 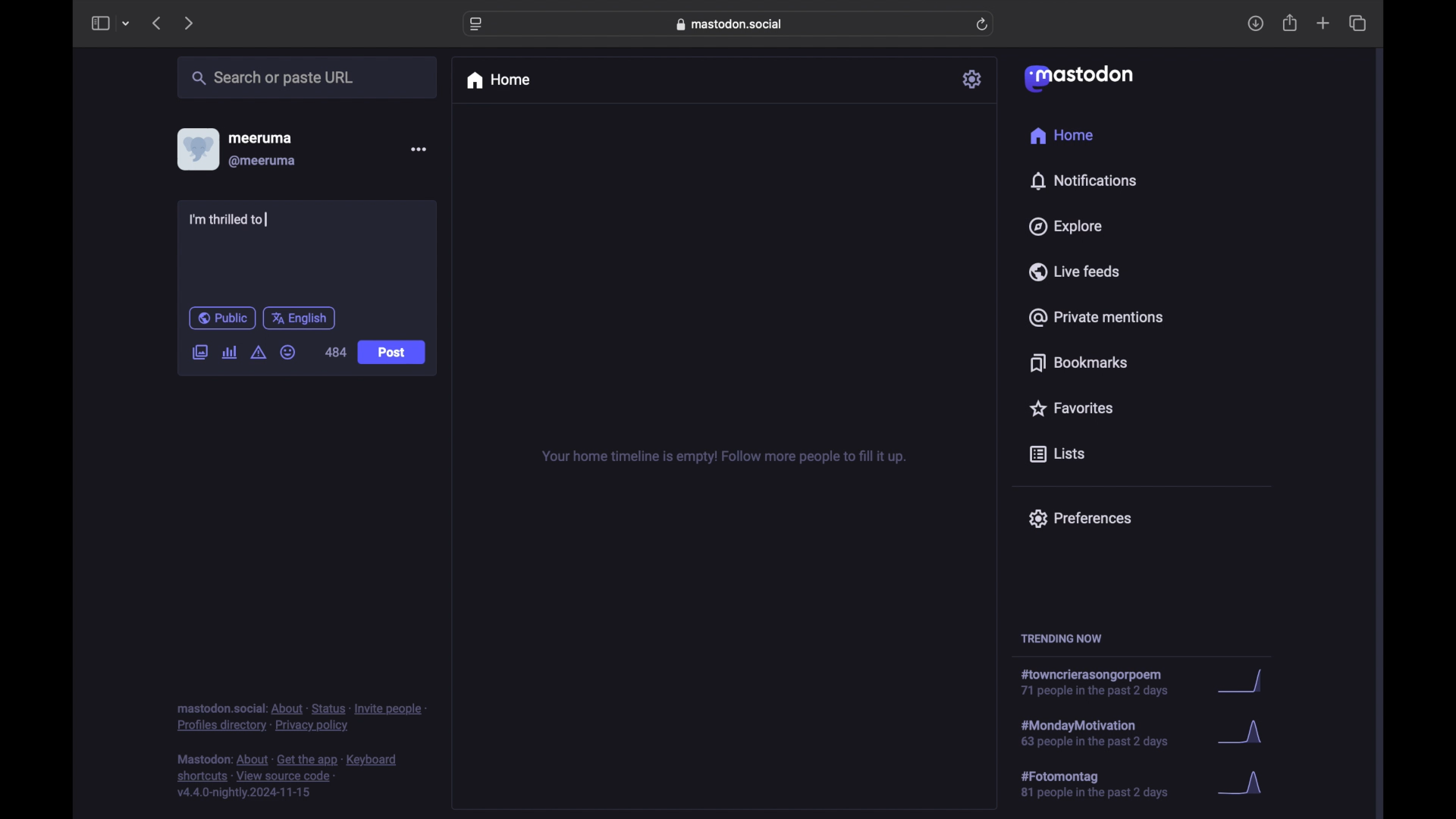 I want to click on mastodon, so click(x=1079, y=79).